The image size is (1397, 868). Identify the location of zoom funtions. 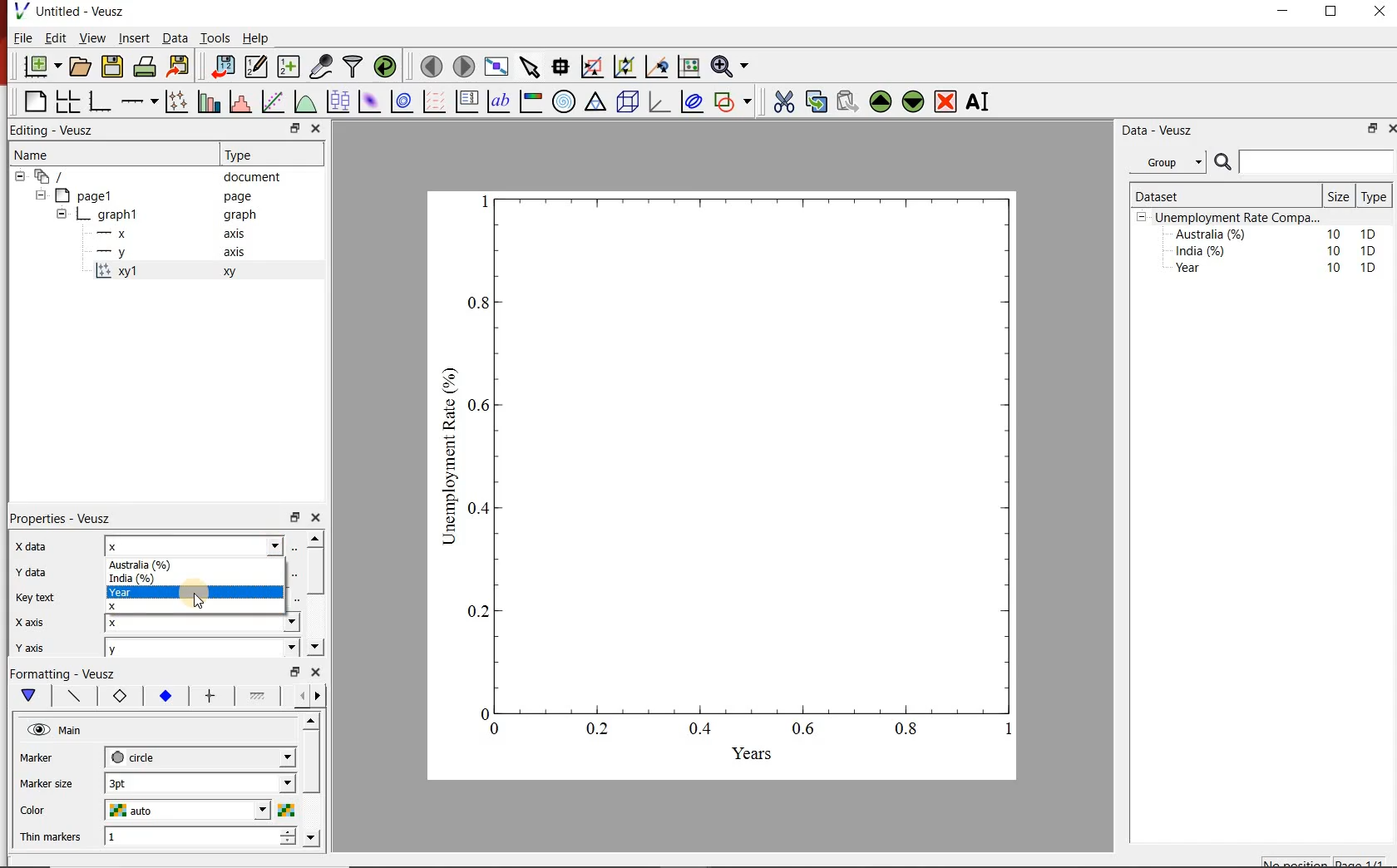
(733, 65).